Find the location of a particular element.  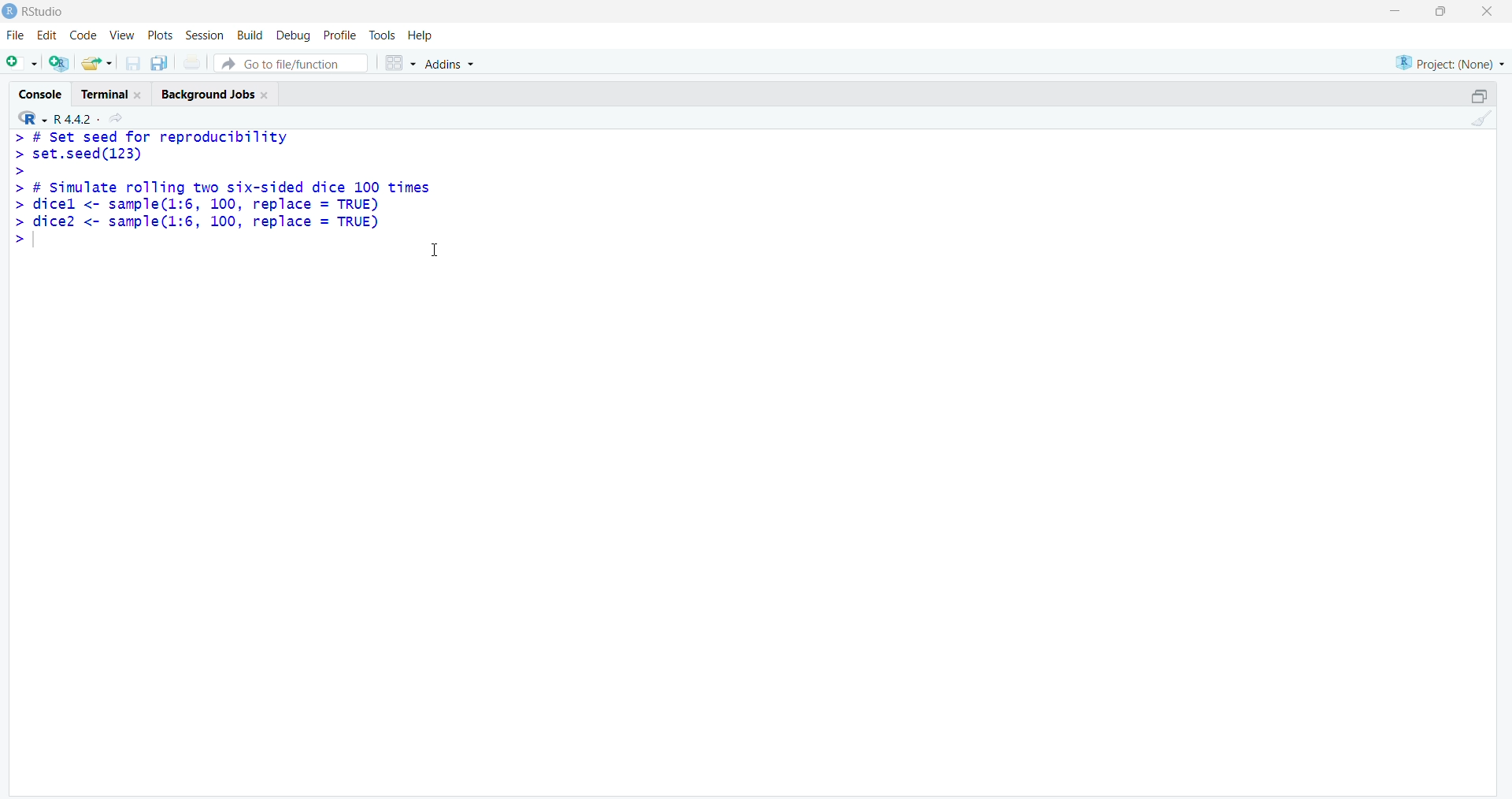

code is located at coordinates (83, 35).